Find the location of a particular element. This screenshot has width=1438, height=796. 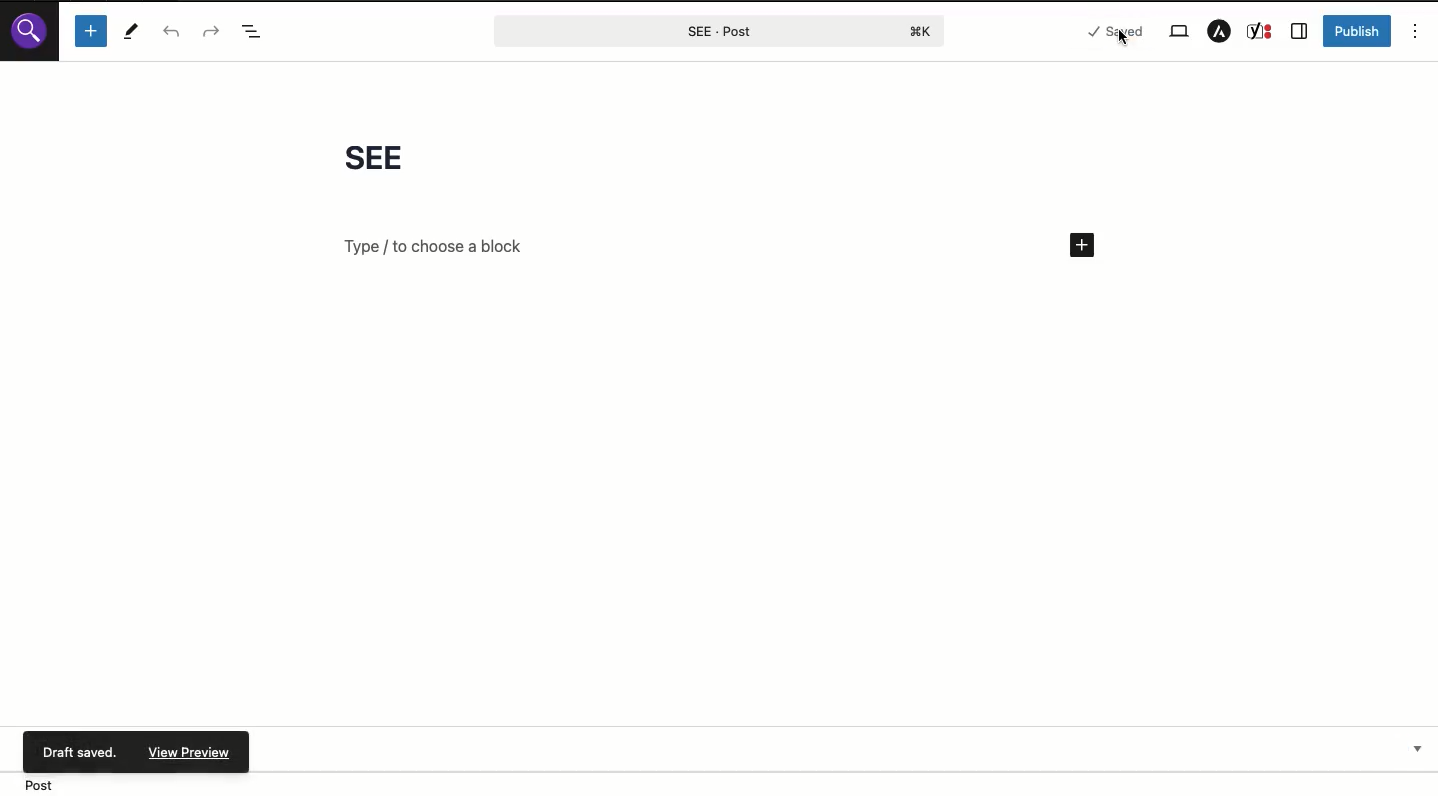

Astra is located at coordinates (1220, 31).